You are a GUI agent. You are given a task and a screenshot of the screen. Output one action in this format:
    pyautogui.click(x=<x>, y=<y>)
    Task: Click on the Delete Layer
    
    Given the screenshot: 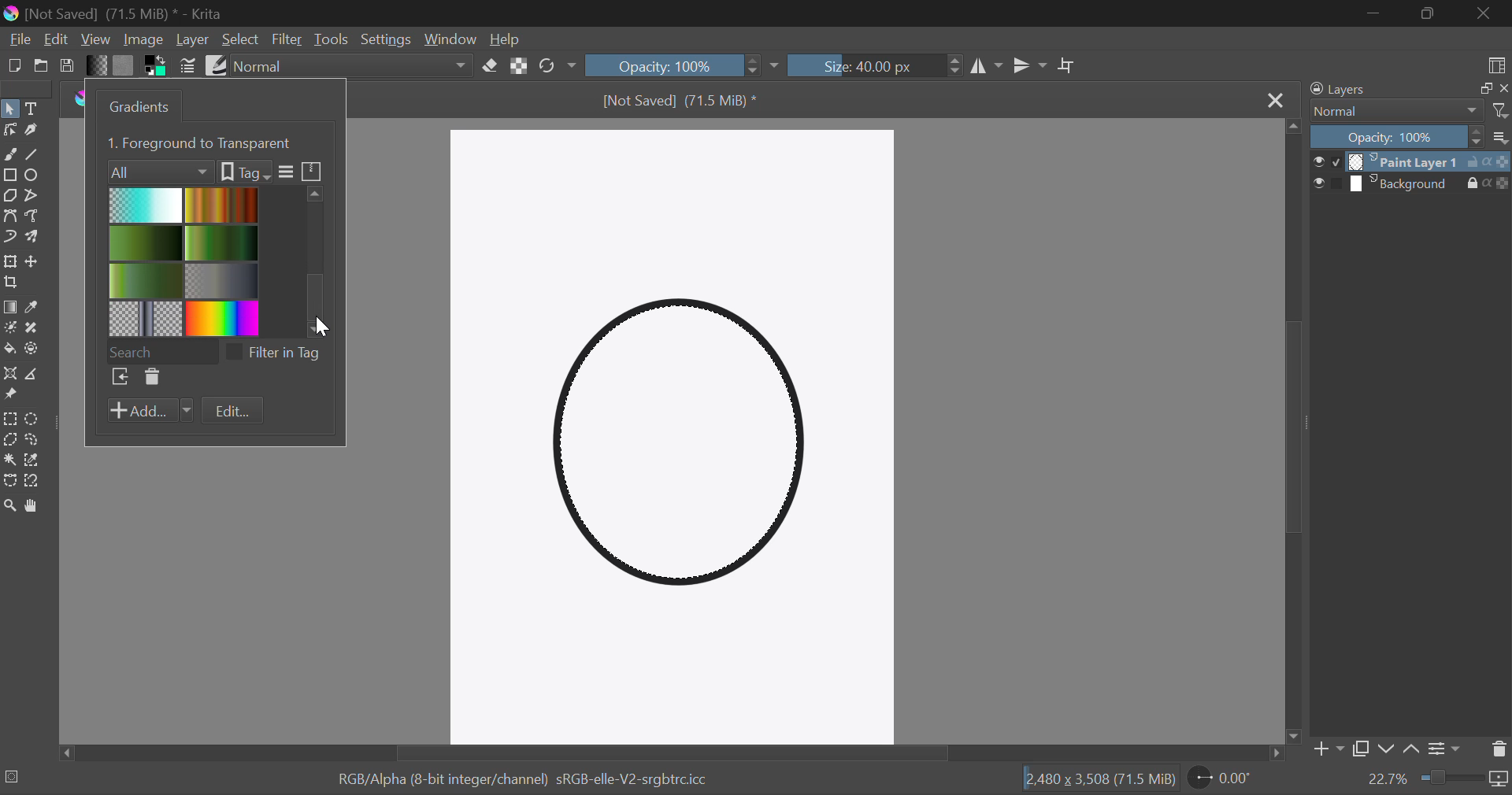 What is the action you would take?
    pyautogui.click(x=1499, y=752)
    